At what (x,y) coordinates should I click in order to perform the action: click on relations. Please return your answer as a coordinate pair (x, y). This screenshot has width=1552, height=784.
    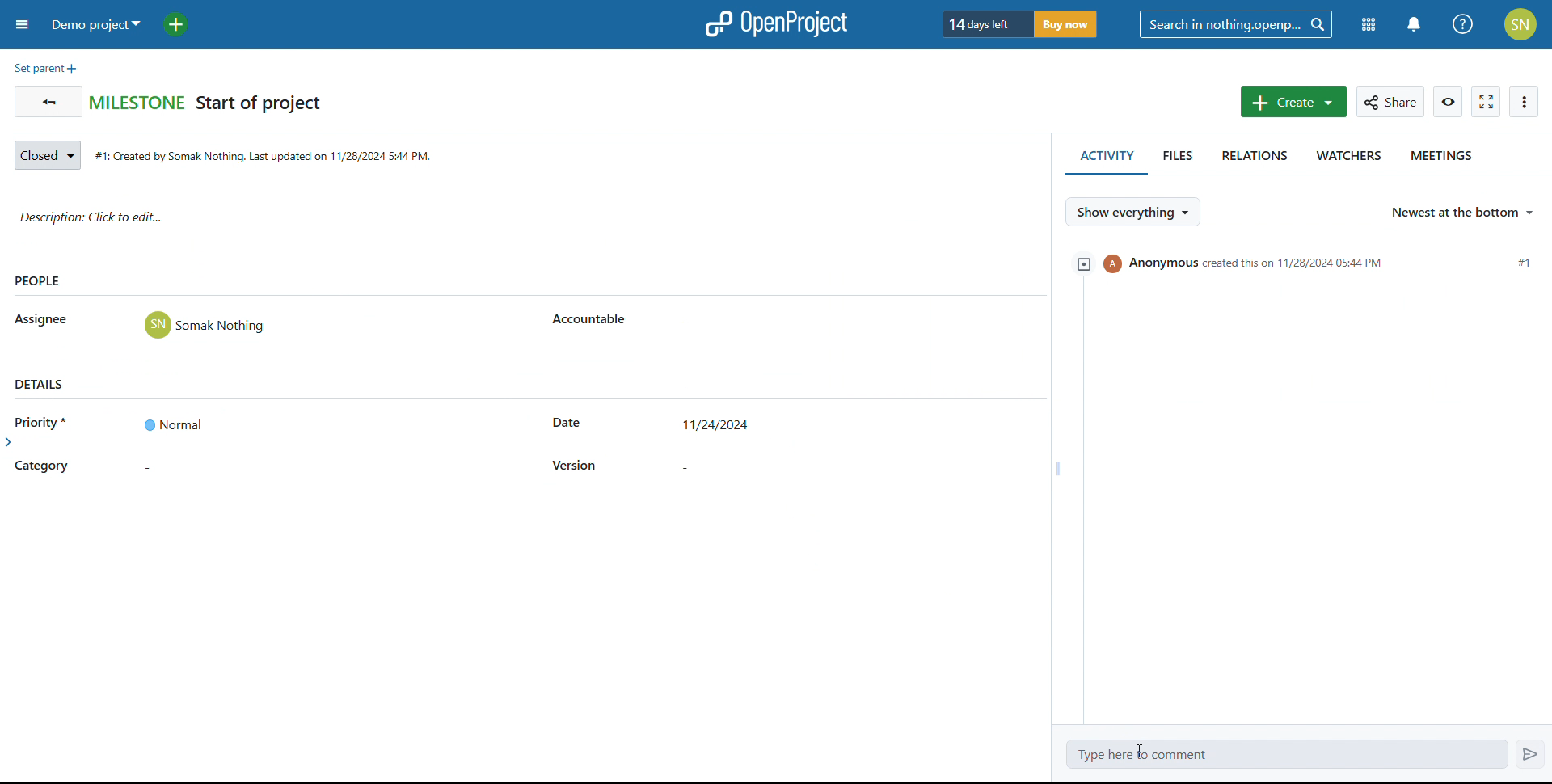
    Looking at the image, I should click on (1249, 160).